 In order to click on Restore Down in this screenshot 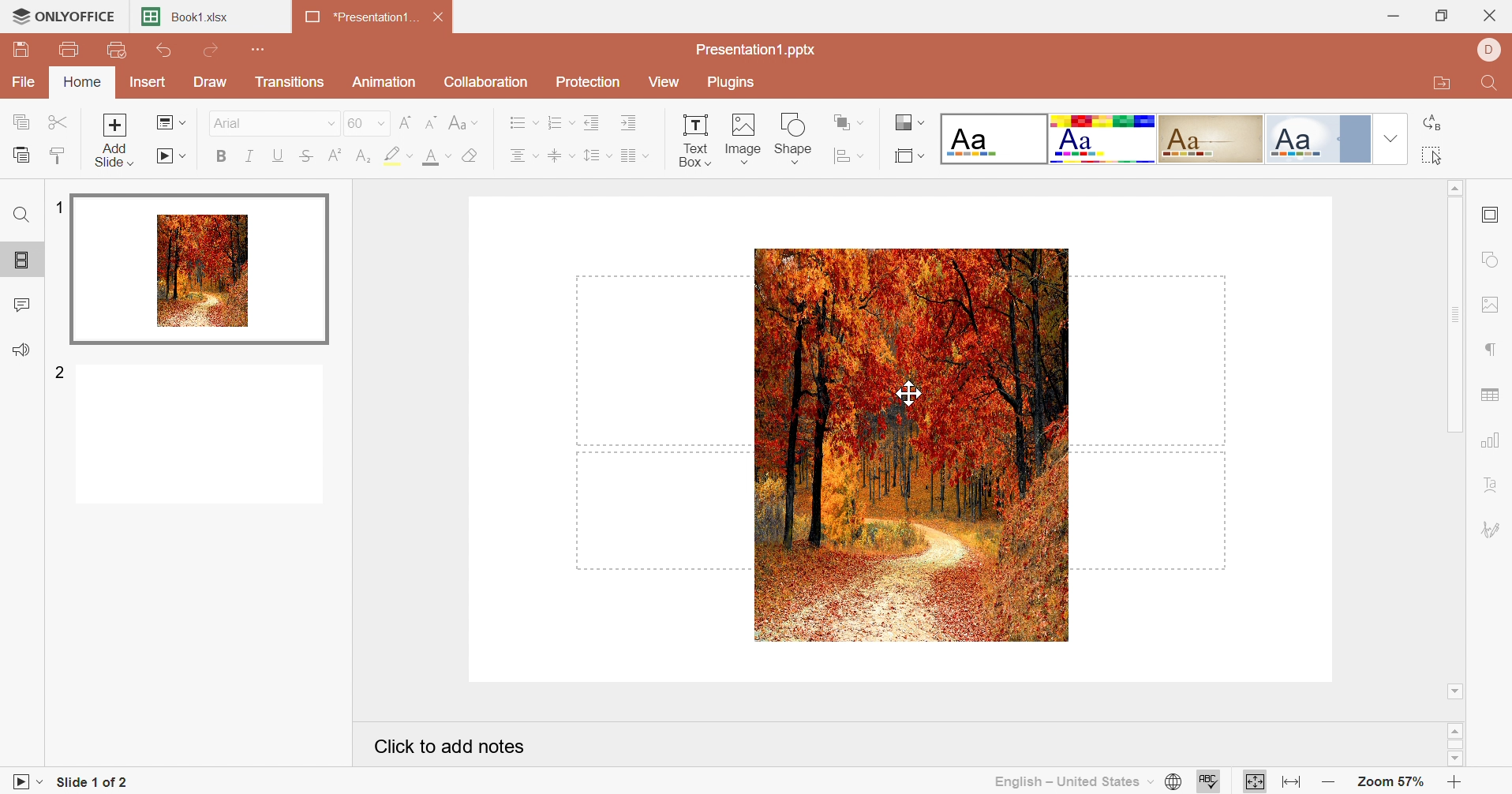, I will do `click(1439, 17)`.